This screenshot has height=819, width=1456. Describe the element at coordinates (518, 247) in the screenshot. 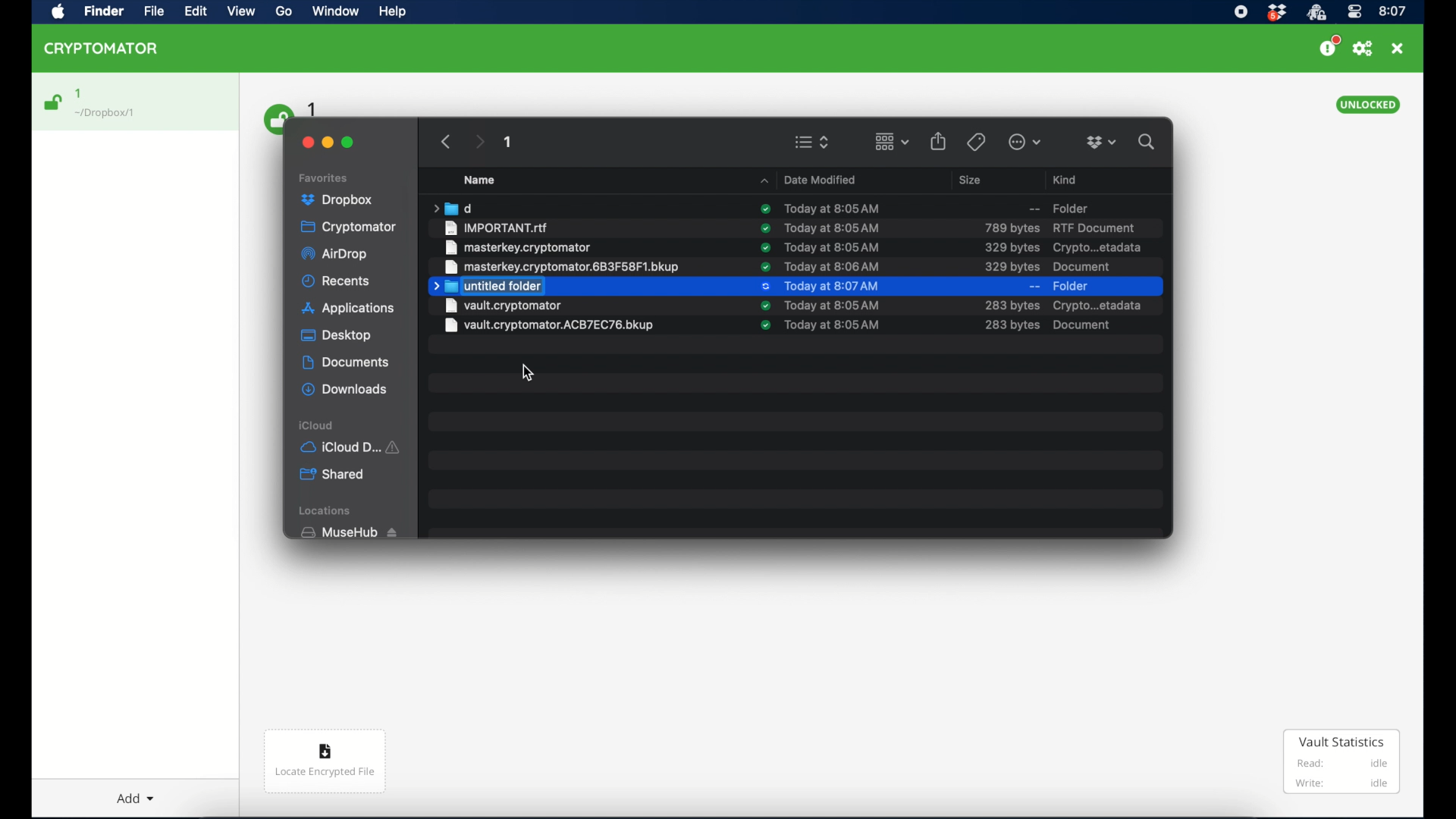

I see `file name` at that location.